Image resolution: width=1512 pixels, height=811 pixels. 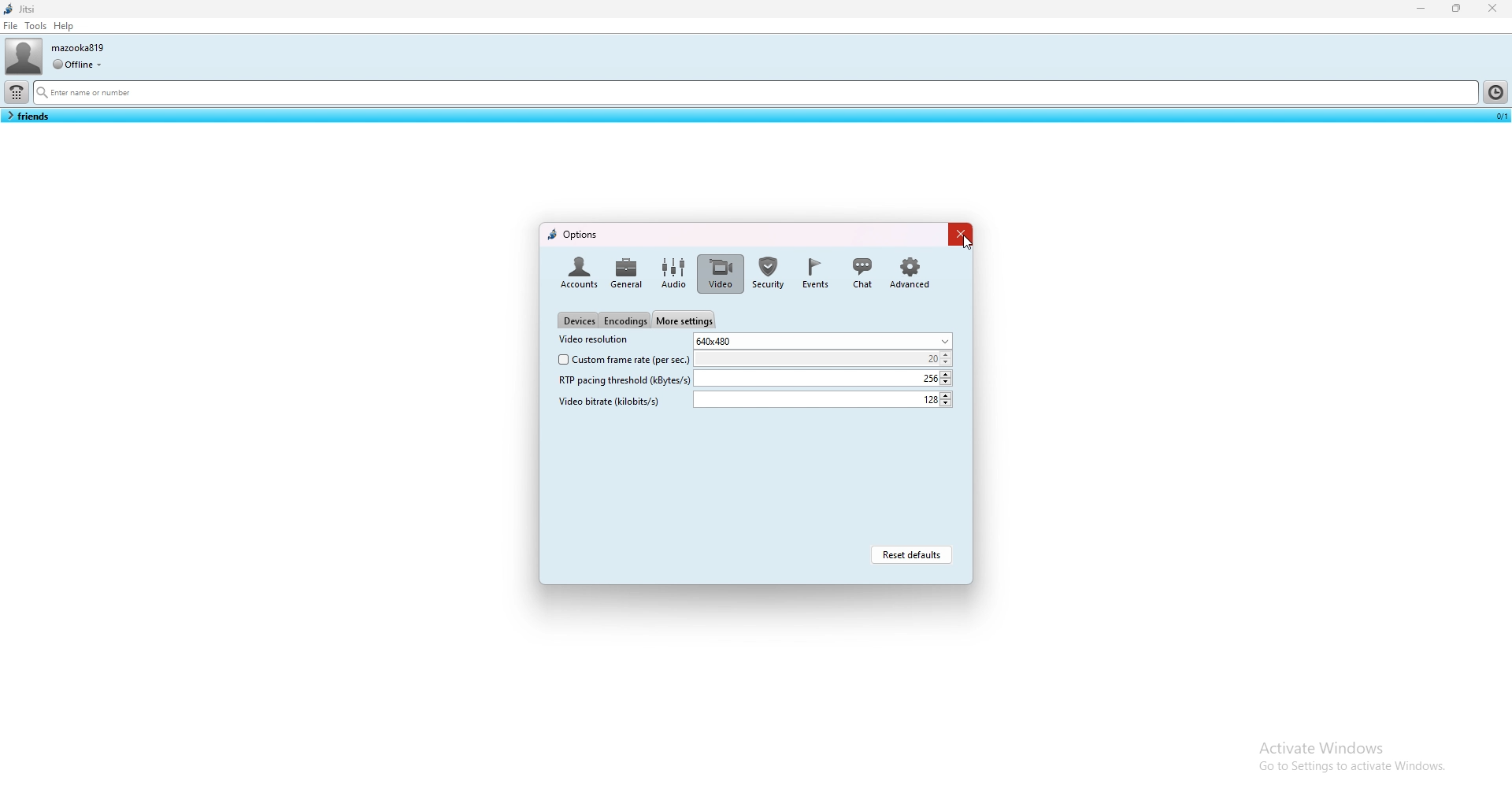 I want to click on search bar, so click(x=754, y=94).